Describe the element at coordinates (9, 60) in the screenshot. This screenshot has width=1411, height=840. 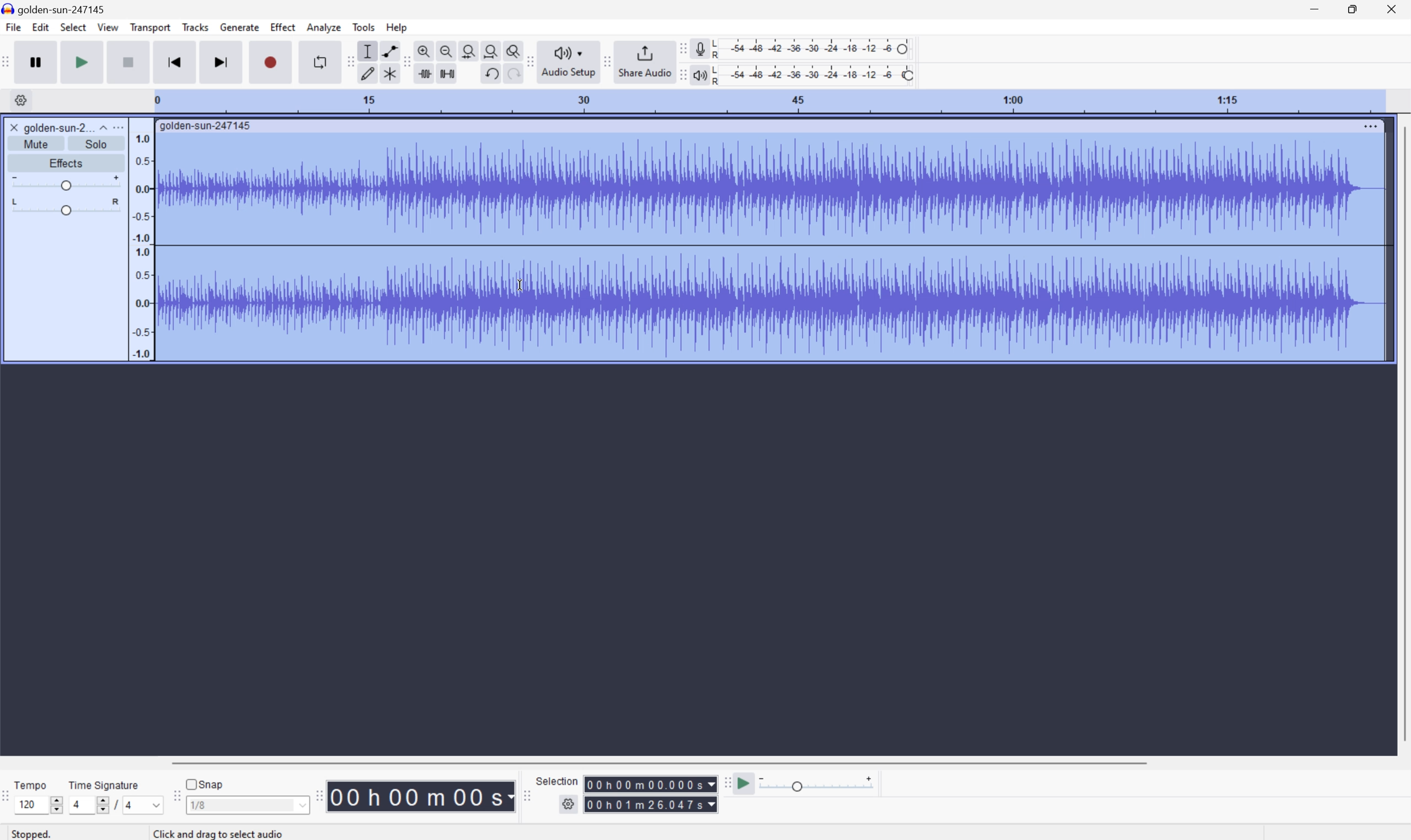
I see `Audacity transport toolbar` at that location.